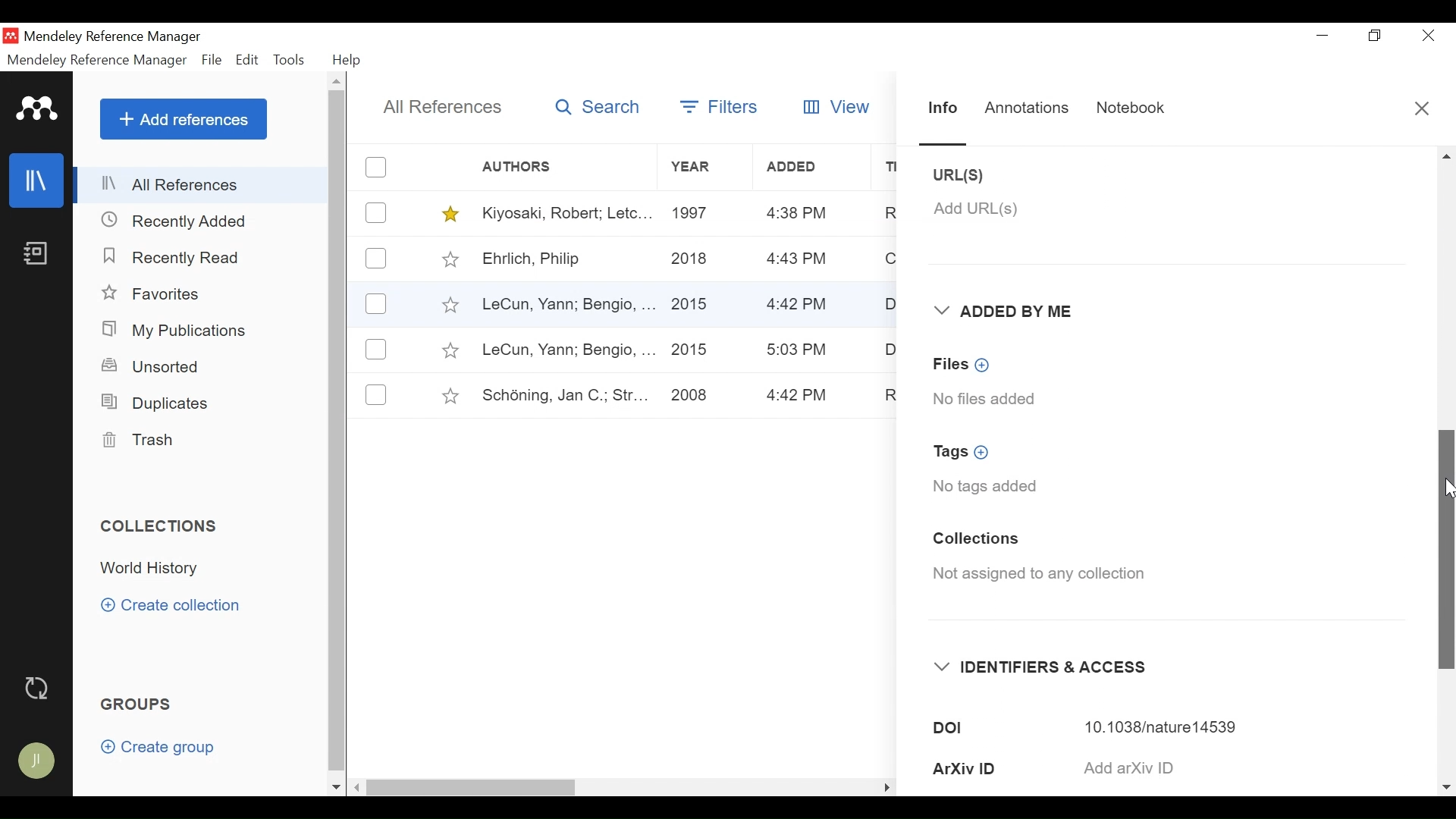  Describe the element at coordinates (165, 750) in the screenshot. I see `Create group` at that location.